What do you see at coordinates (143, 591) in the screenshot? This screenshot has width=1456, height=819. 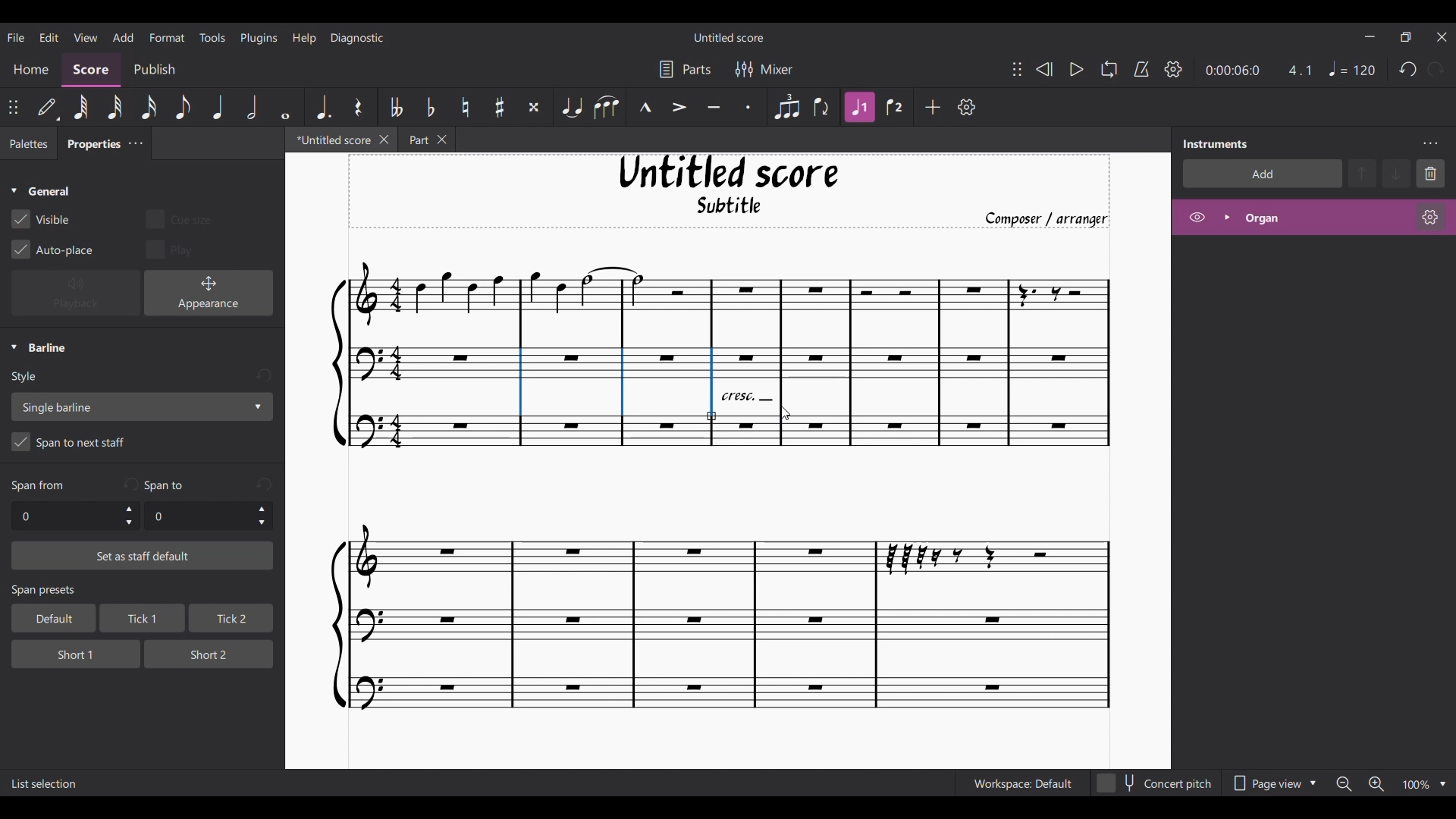 I see `Span presets` at bounding box center [143, 591].